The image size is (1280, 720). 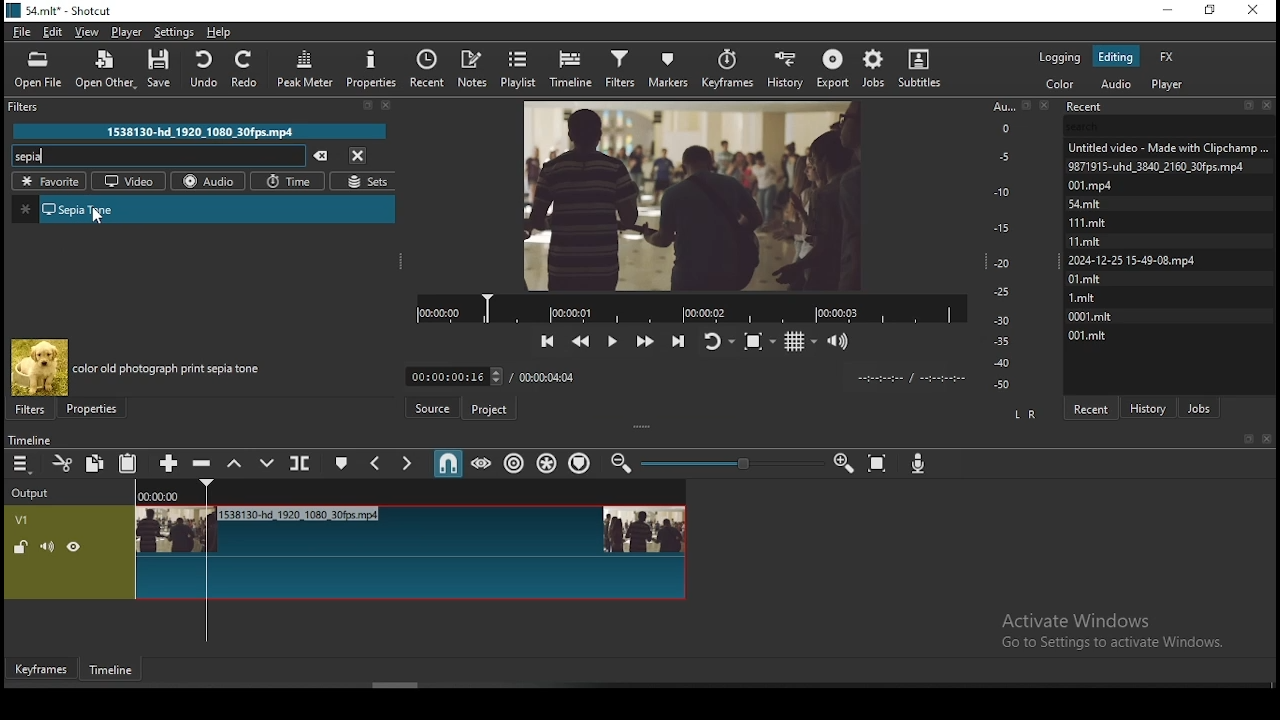 What do you see at coordinates (572, 68) in the screenshot?
I see `timeline` at bounding box center [572, 68].